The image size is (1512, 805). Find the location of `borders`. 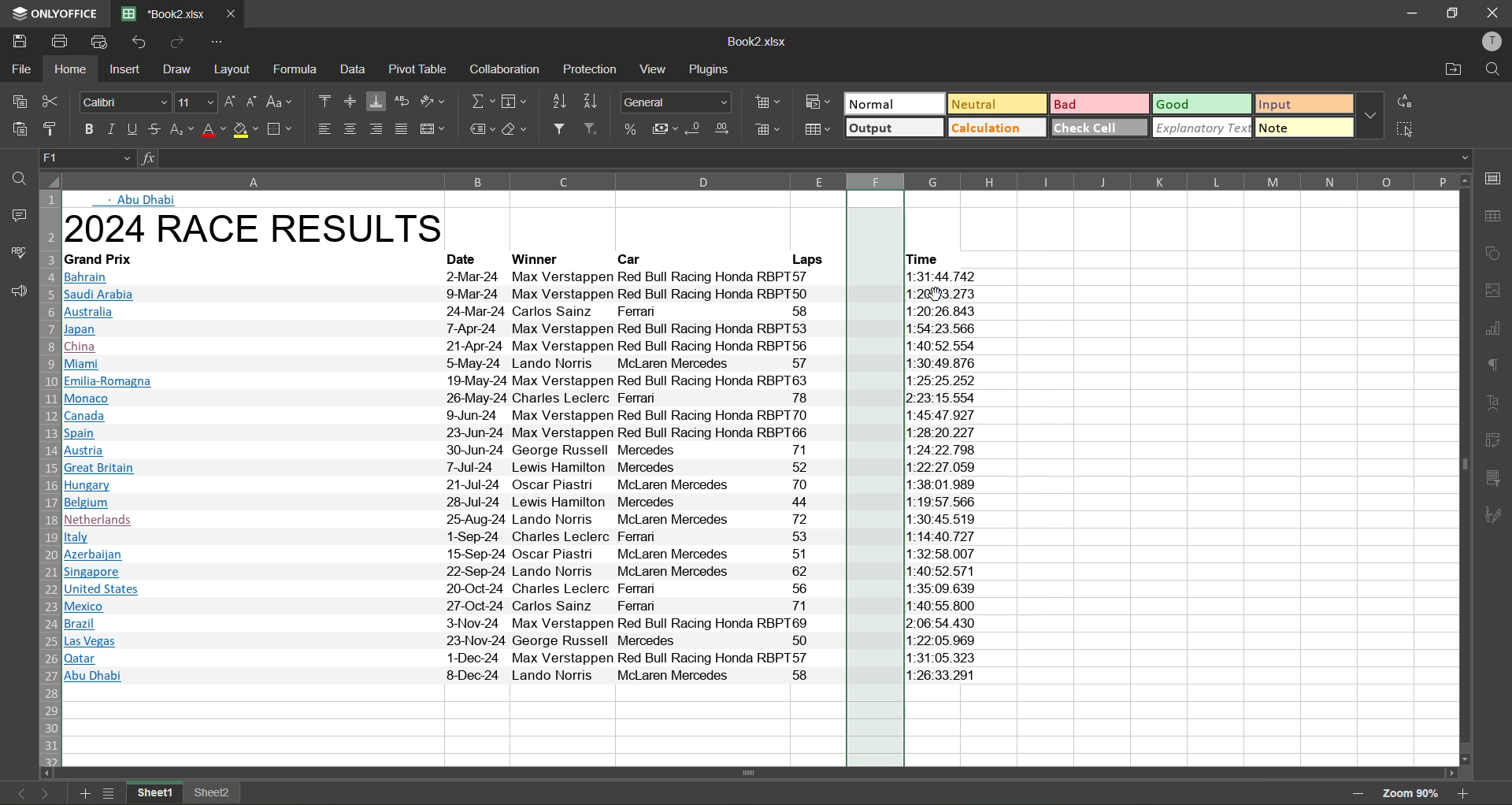

borders is located at coordinates (283, 129).